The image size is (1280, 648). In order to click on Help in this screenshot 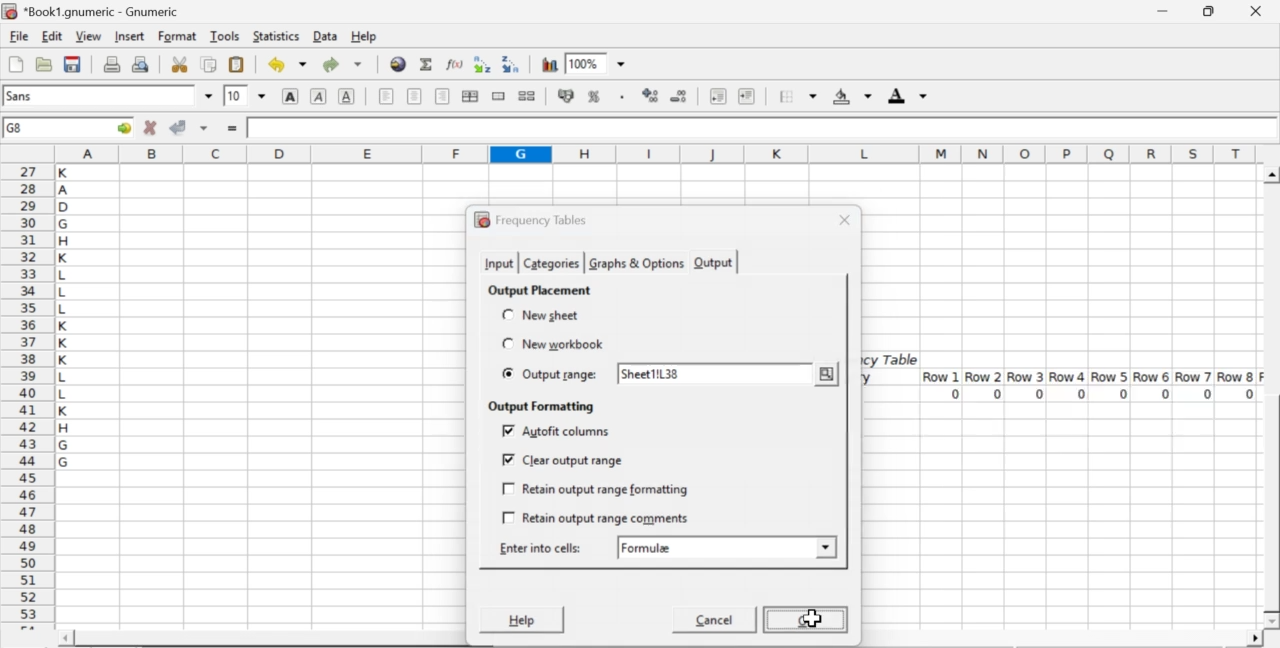, I will do `click(520, 620)`.